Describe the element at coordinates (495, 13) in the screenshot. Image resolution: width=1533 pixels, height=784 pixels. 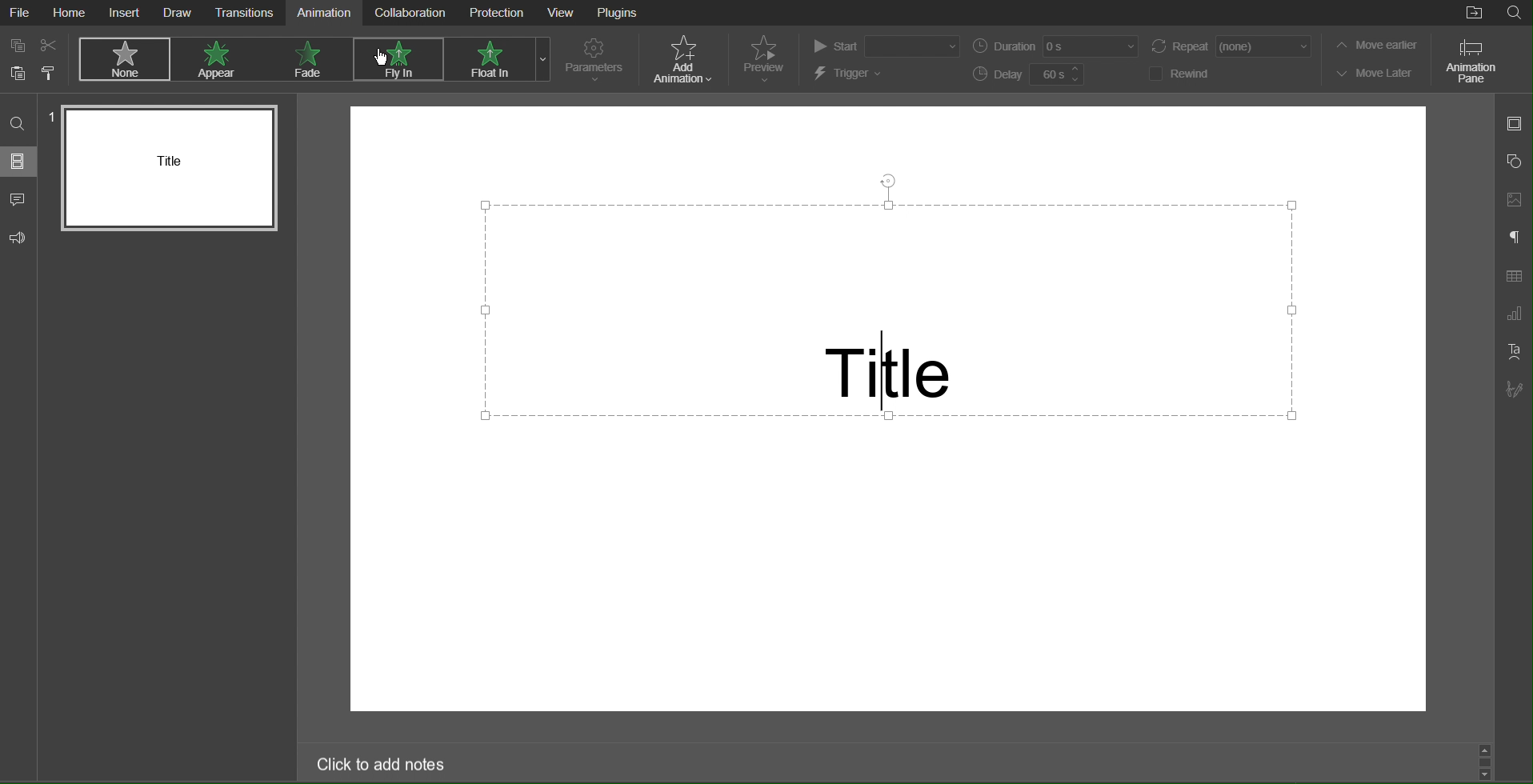
I see `Protection` at that location.